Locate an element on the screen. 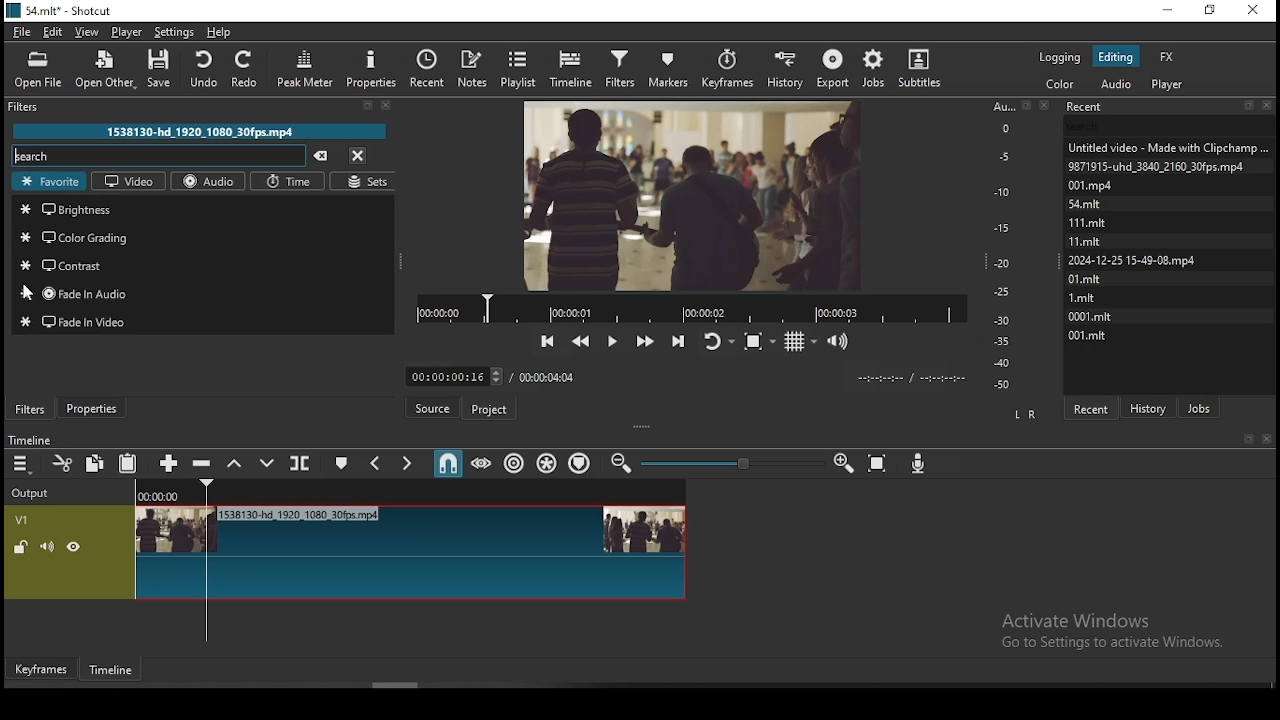 The image size is (1280, 720). Untitled video - Made with Clipchamp . is located at coordinates (1167, 146).